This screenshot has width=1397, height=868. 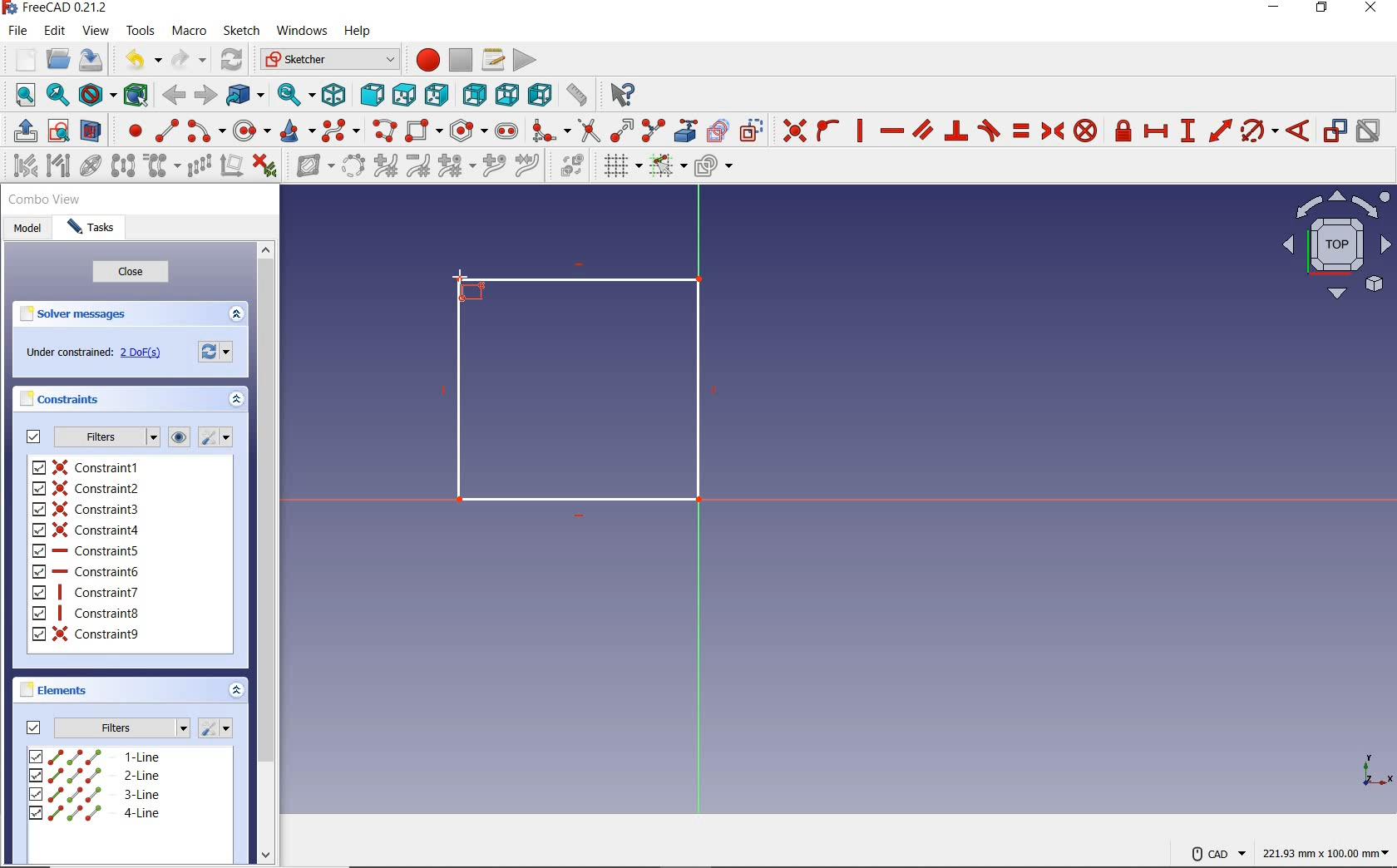 What do you see at coordinates (294, 93) in the screenshot?
I see `sync view` at bounding box center [294, 93].